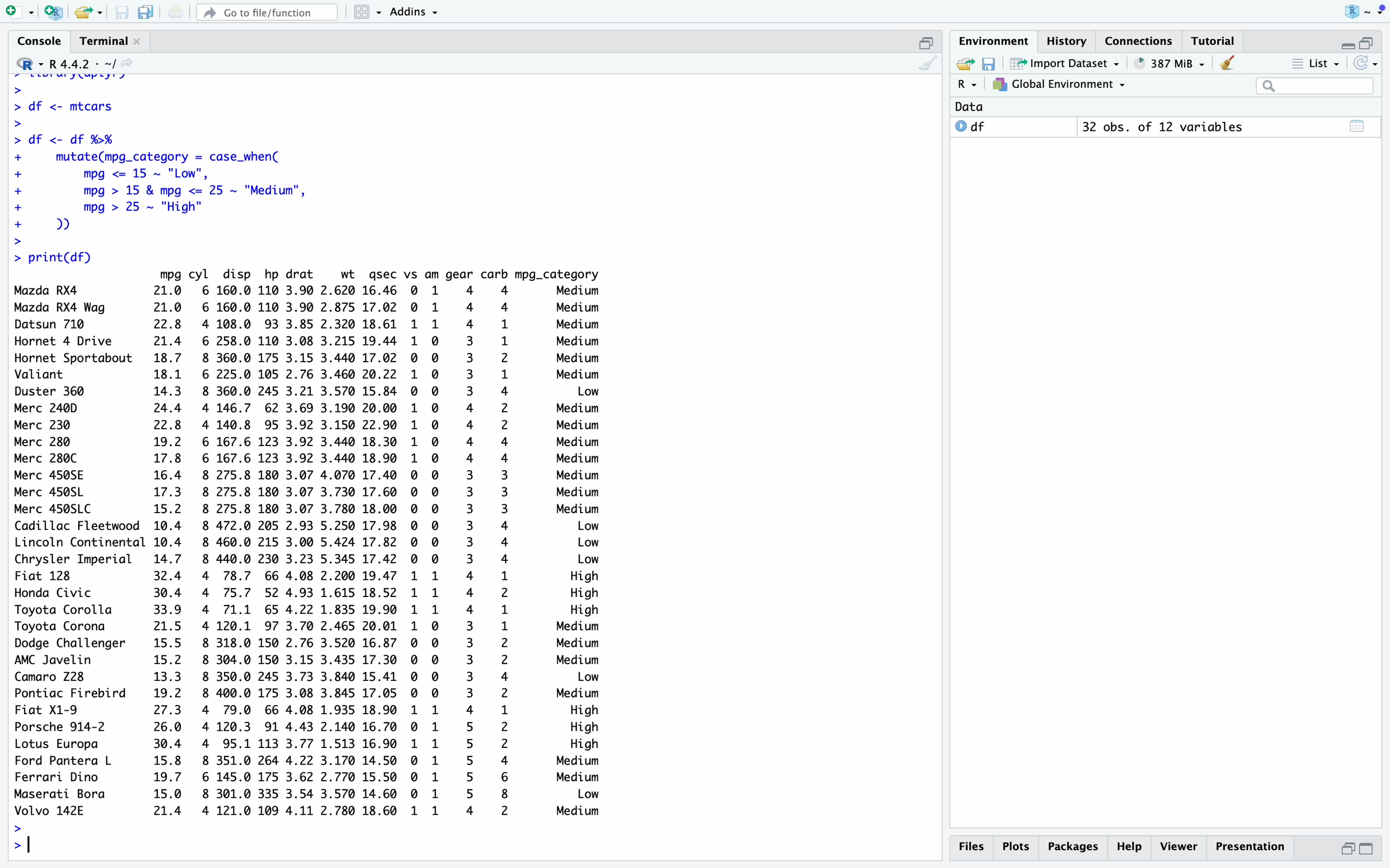 The width and height of the screenshot is (1390, 868). I want to click on share folder, so click(966, 64).